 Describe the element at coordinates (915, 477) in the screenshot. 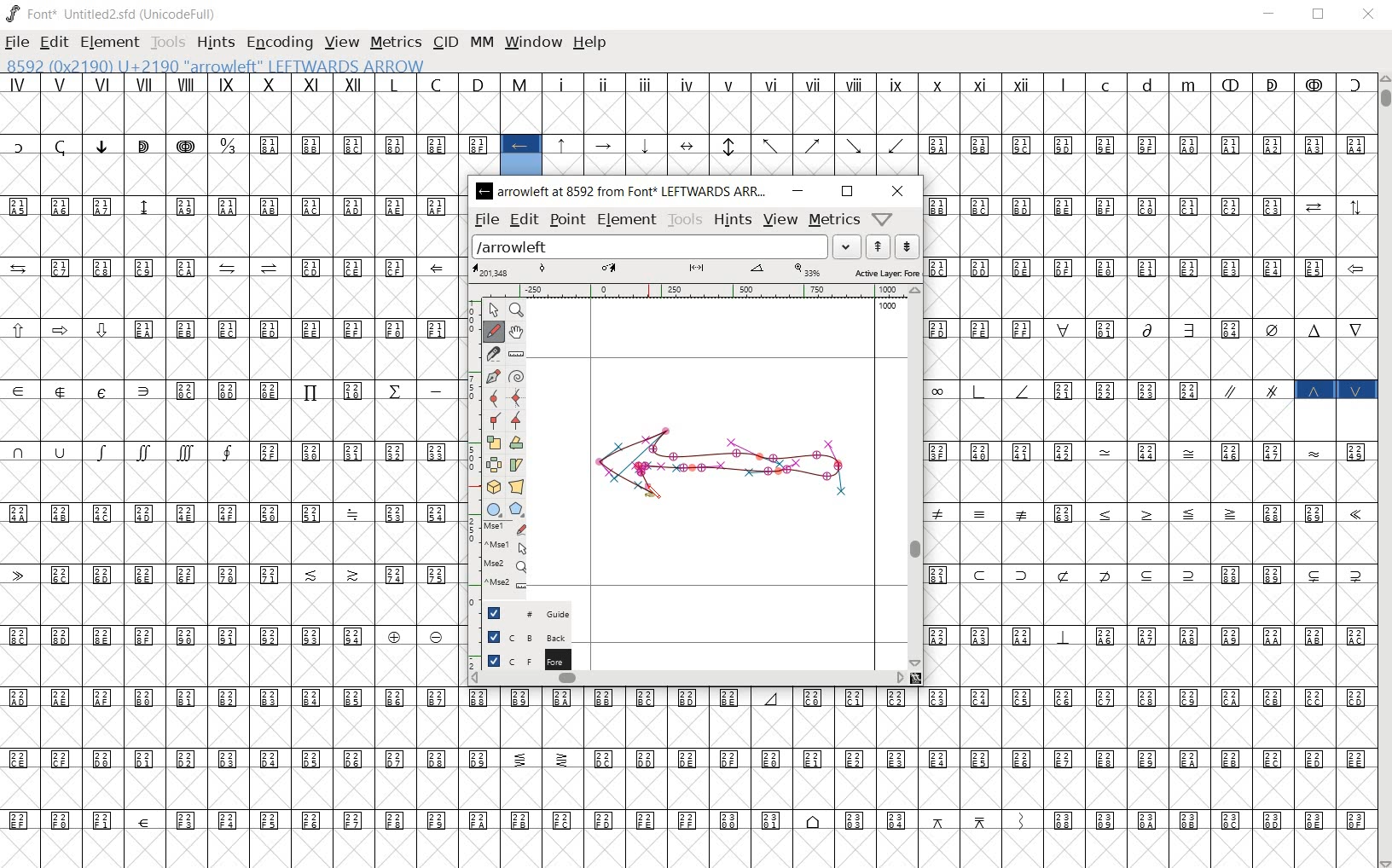

I see `scrollbar` at that location.